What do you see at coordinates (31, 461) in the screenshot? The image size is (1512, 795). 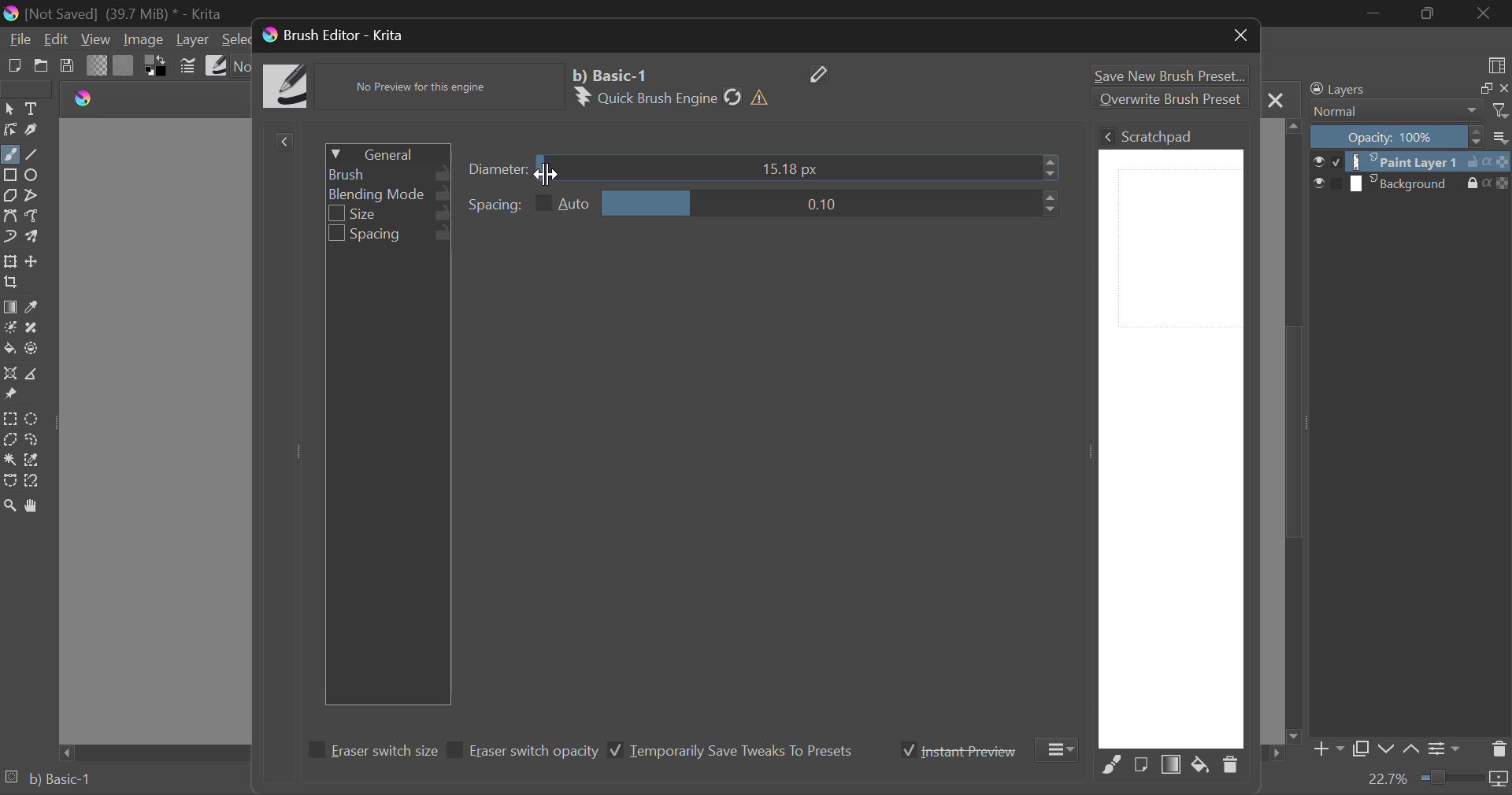 I see `Similar Color Selector` at bounding box center [31, 461].